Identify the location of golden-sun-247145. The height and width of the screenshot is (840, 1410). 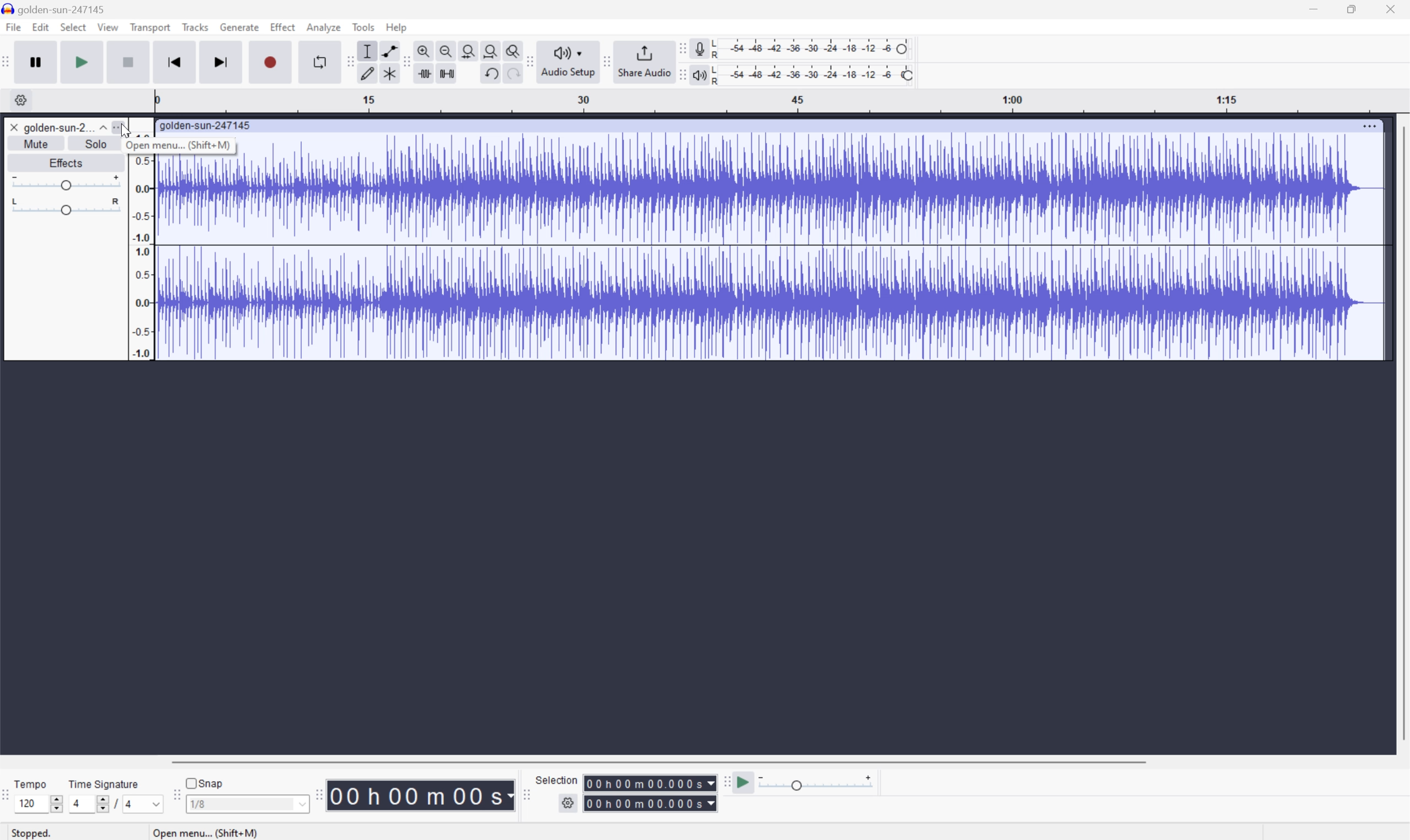
(209, 125).